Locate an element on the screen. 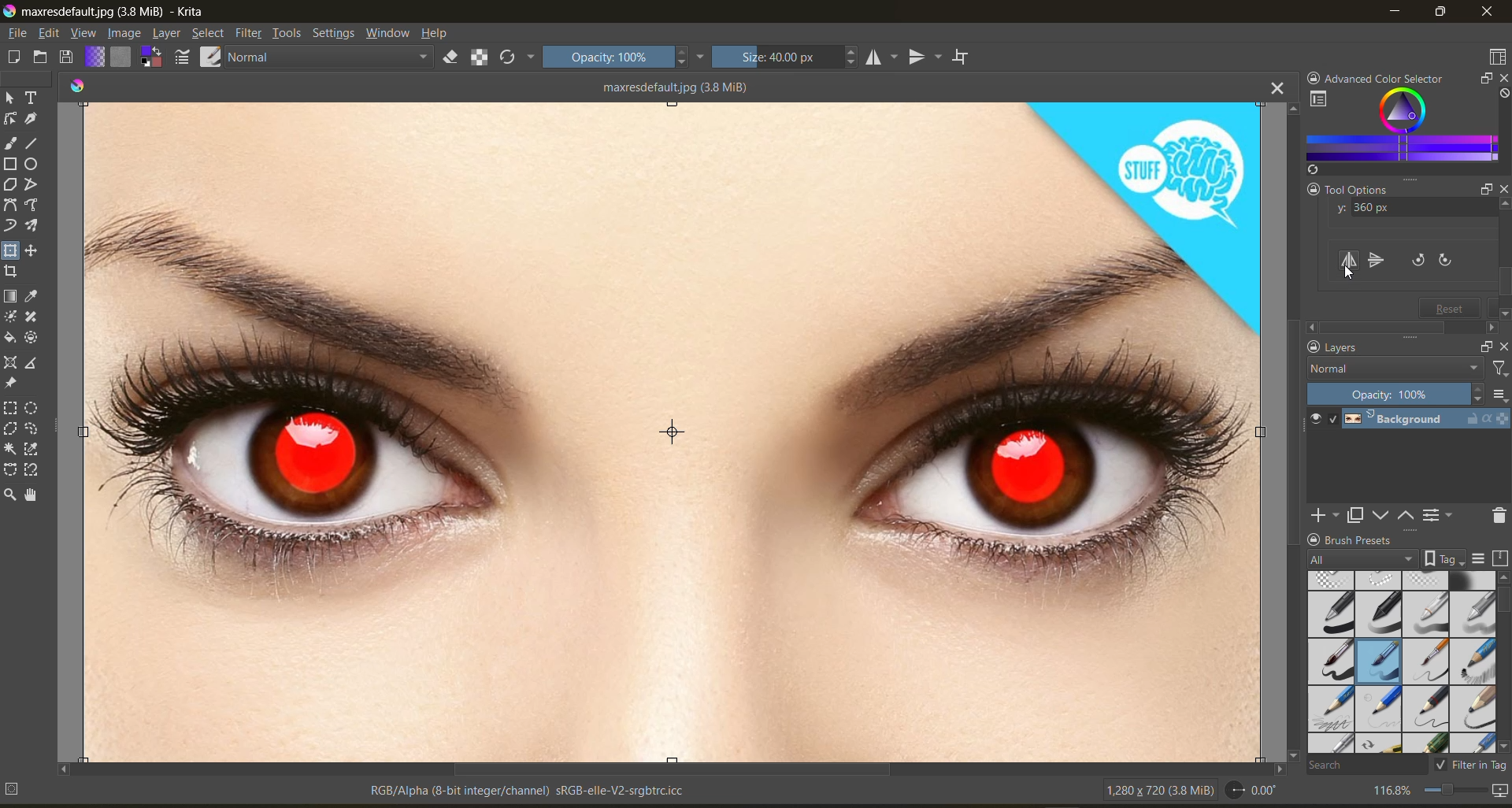 The image size is (1512, 808). close is located at coordinates (1487, 13).